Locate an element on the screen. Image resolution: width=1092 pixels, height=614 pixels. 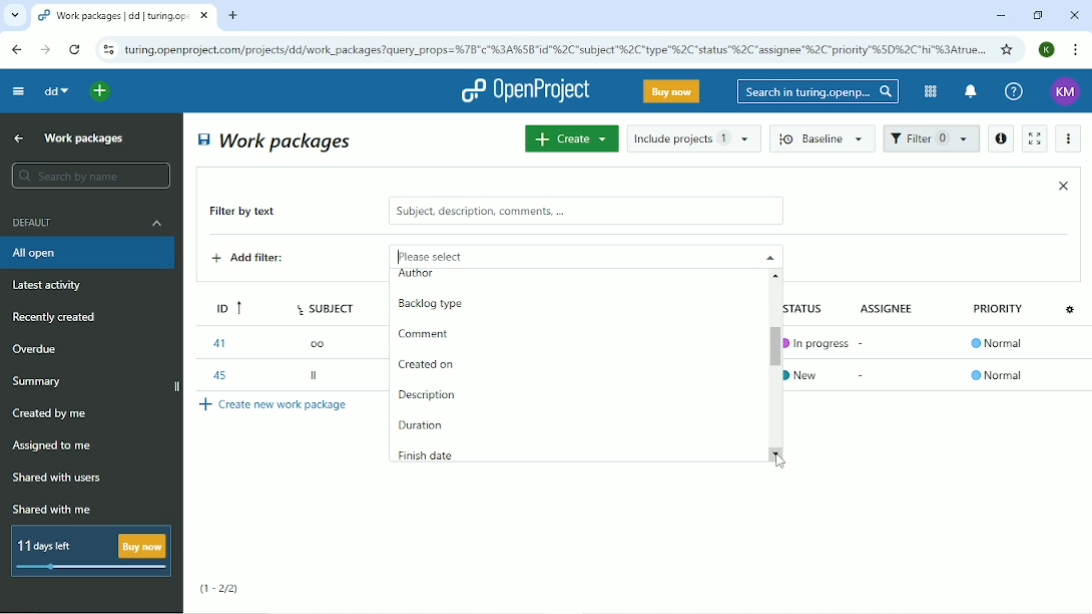
Duration is located at coordinates (423, 425).